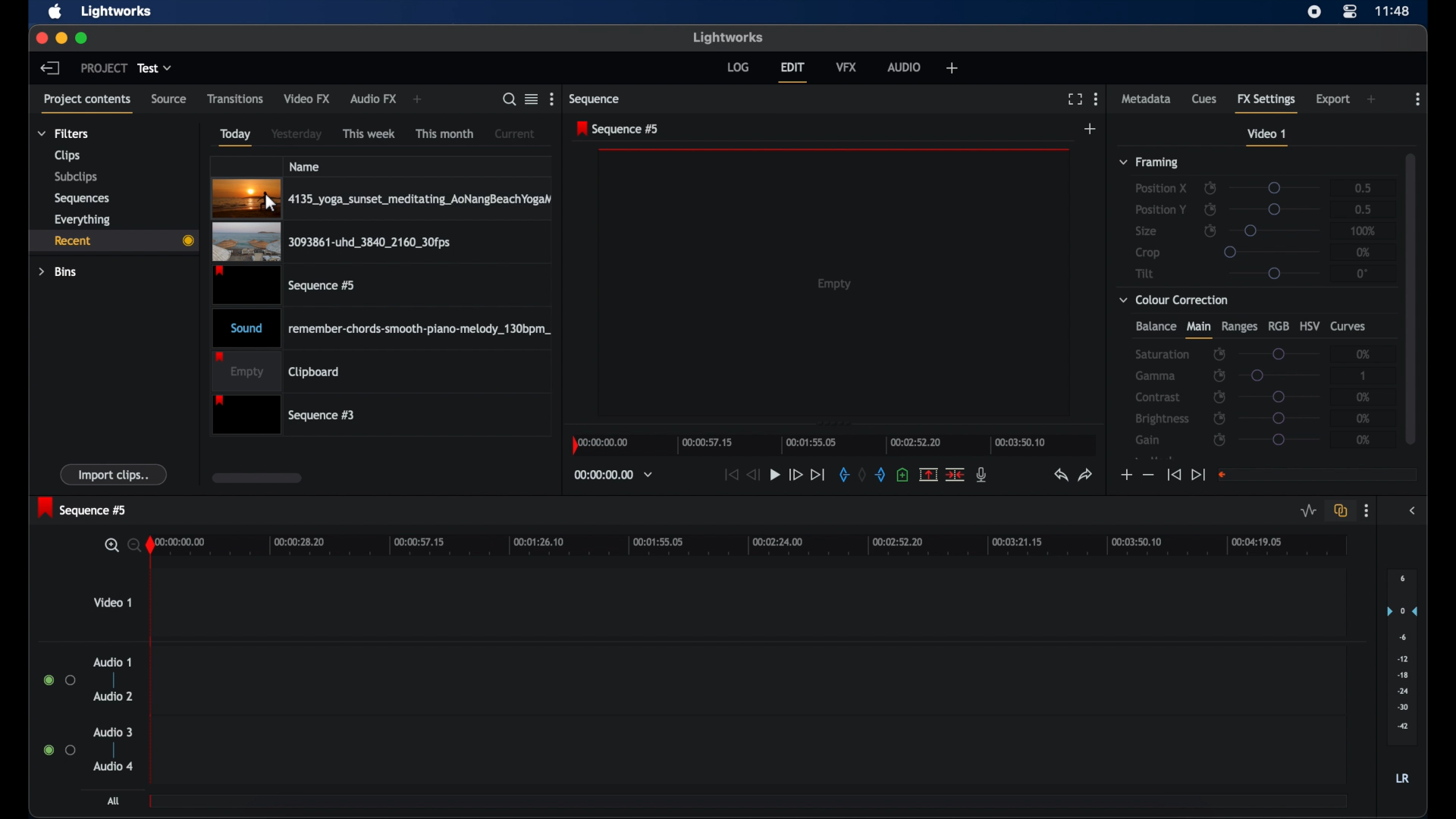 This screenshot has height=819, width=1456. Describe the element at coordinates (863, 475) in the screenshot. I see `clear marks` at that location.